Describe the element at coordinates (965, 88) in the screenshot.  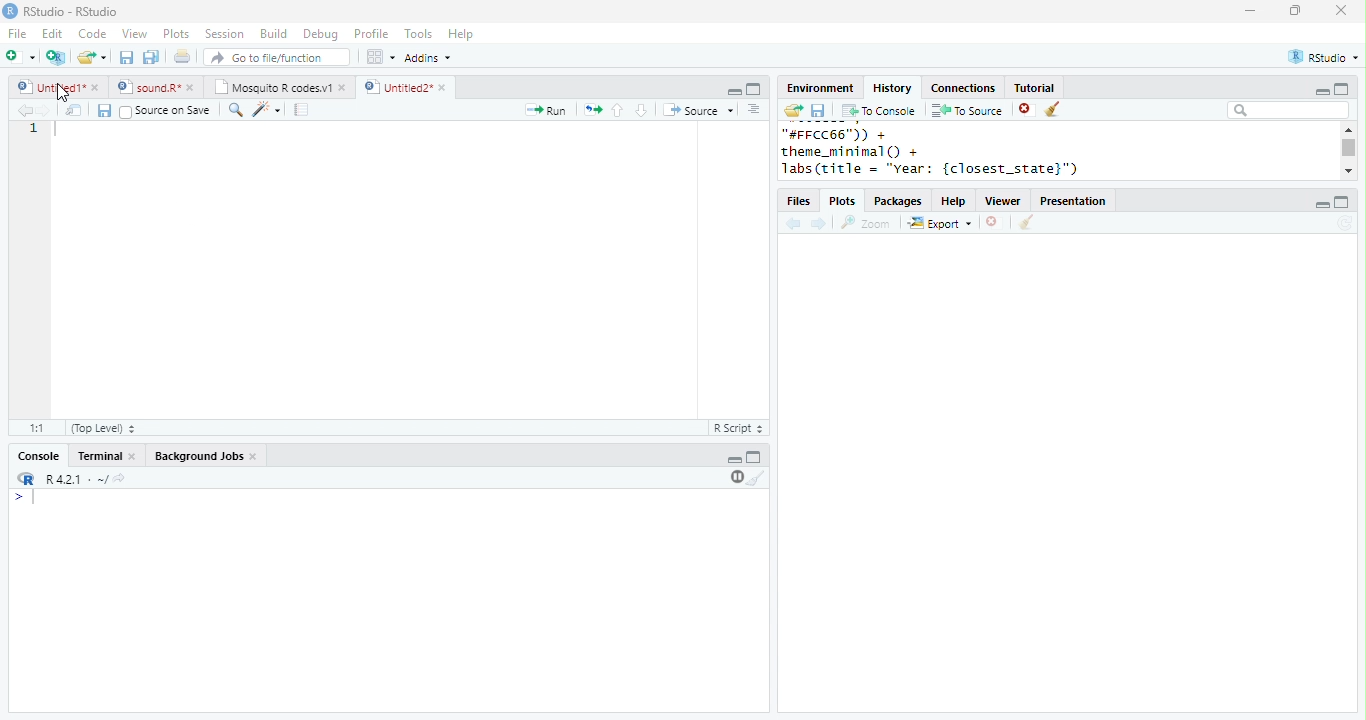
I see `Connections` at that location.